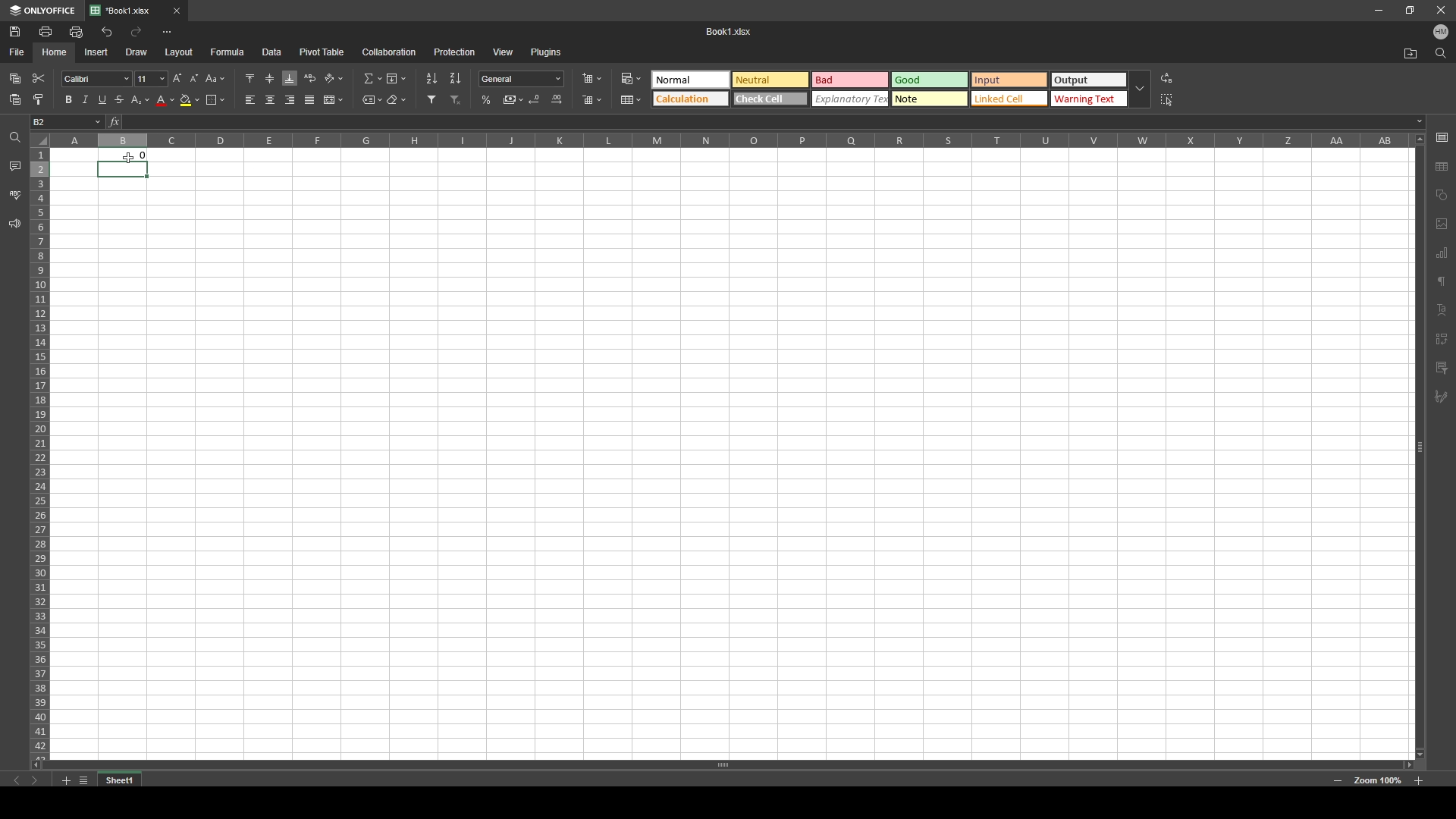 This screenshot has width=1456, height=819. I want to click on table, so click(1444, 164).